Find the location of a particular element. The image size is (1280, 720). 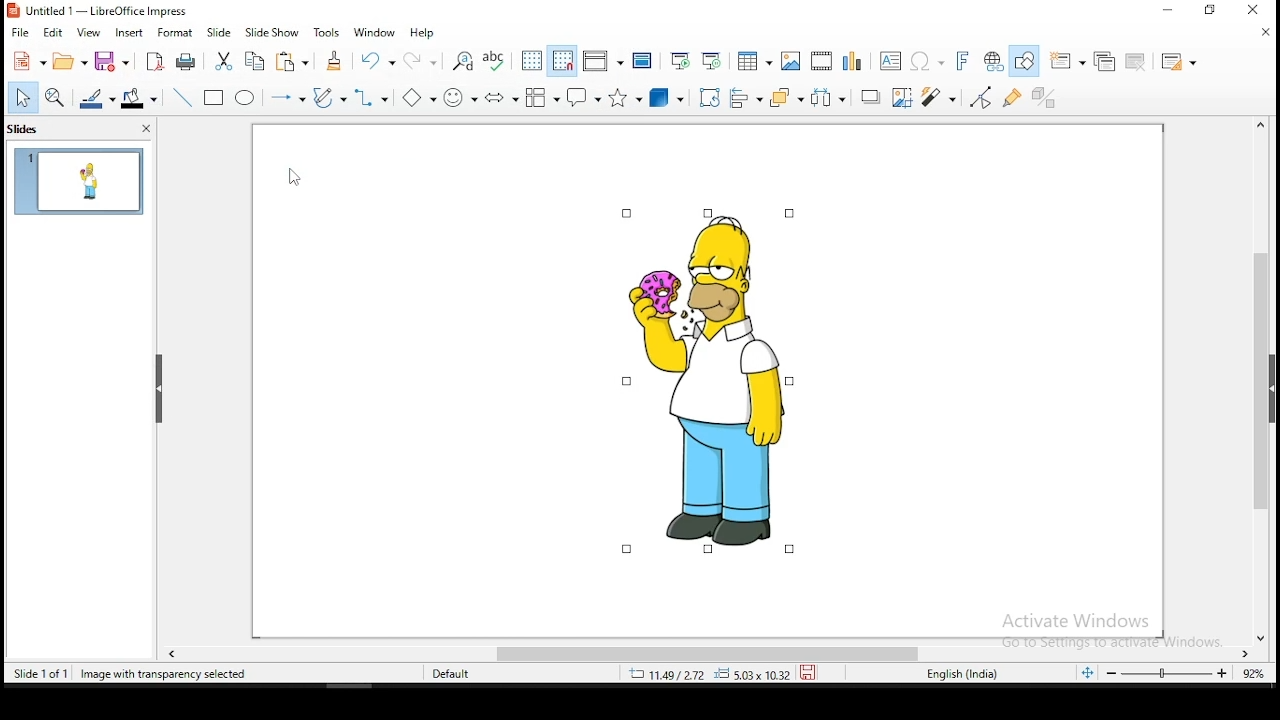

show gluepoint functions is located at coordinates (1015, 96).